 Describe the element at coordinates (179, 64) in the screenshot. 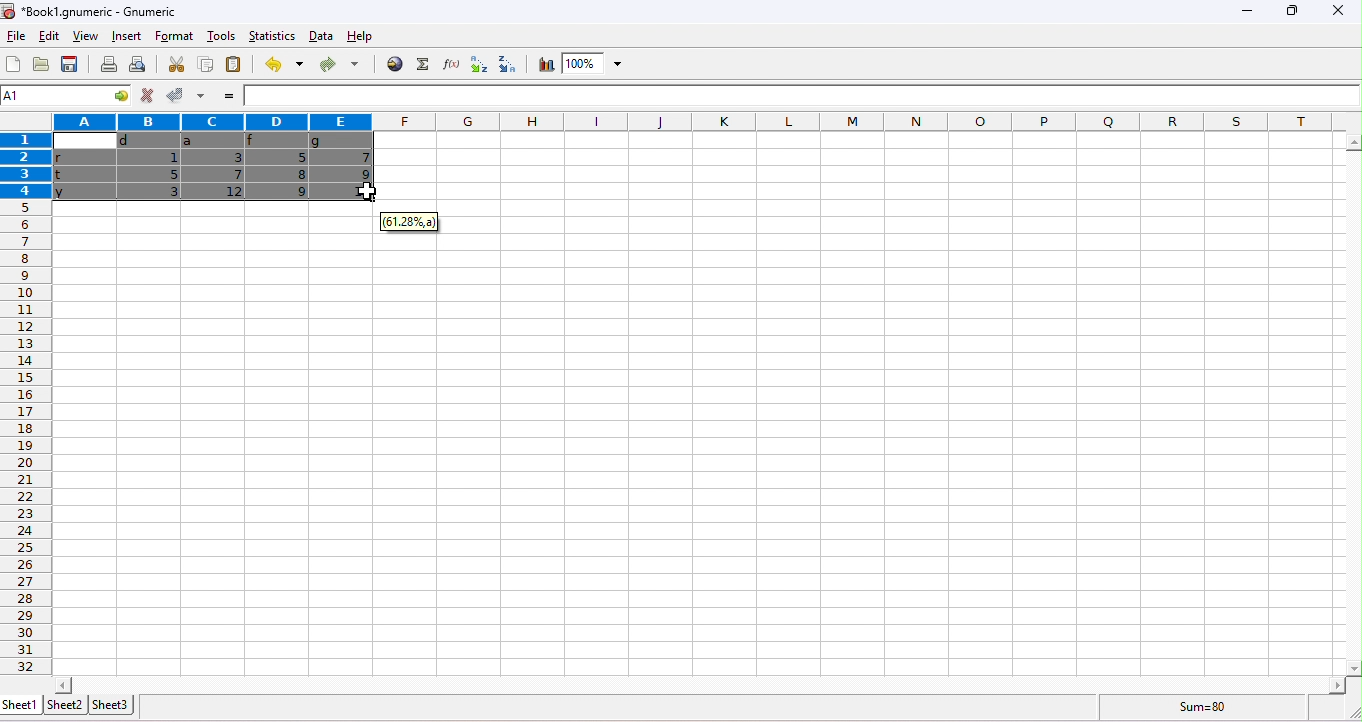

I see `cut` at that location.